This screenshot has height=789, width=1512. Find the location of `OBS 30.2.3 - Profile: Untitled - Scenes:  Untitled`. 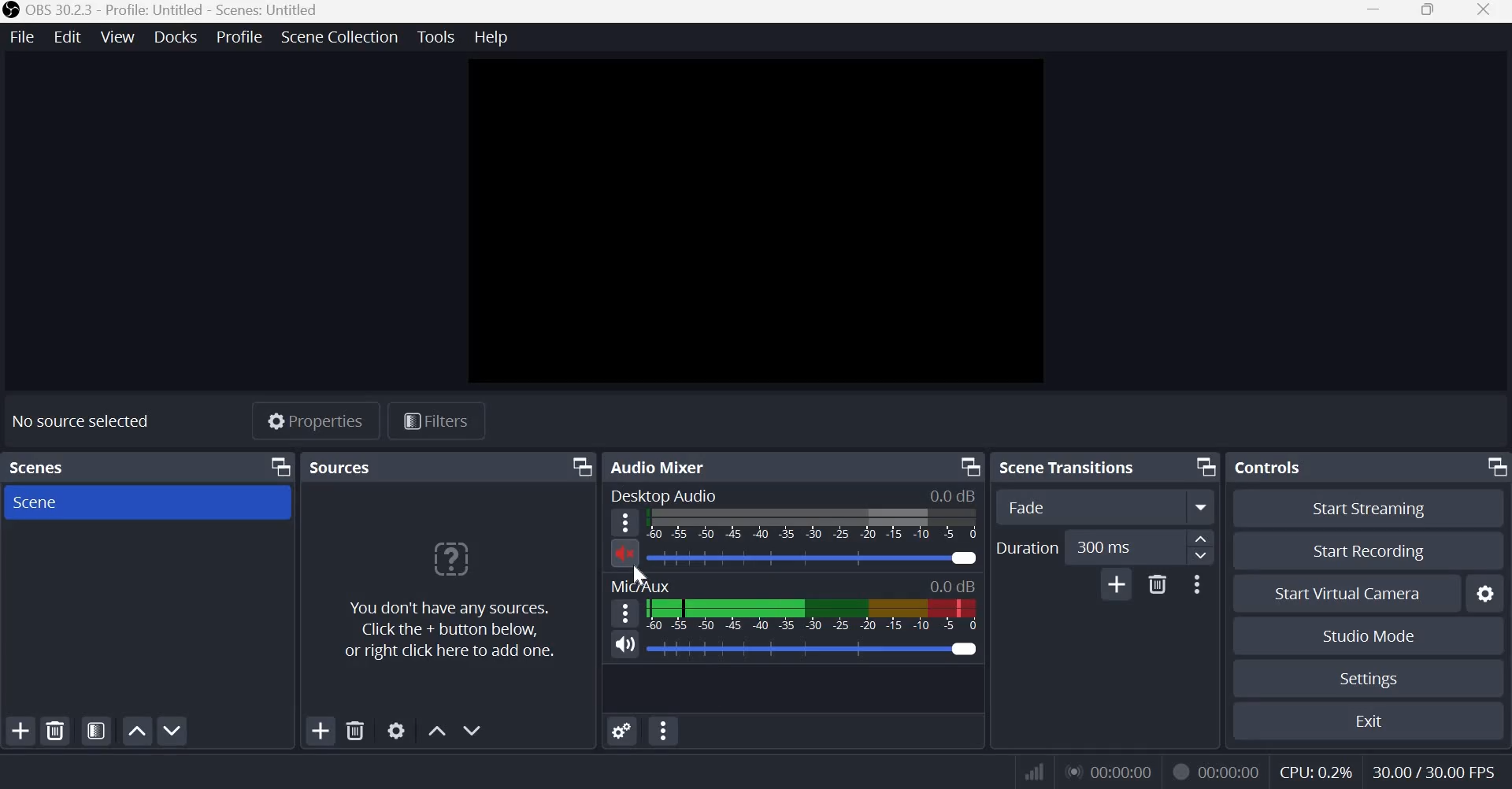

OBS 30.2.3 - Profile: Untitled - Scenes:  Untitled is located at coordinates (164, 12).